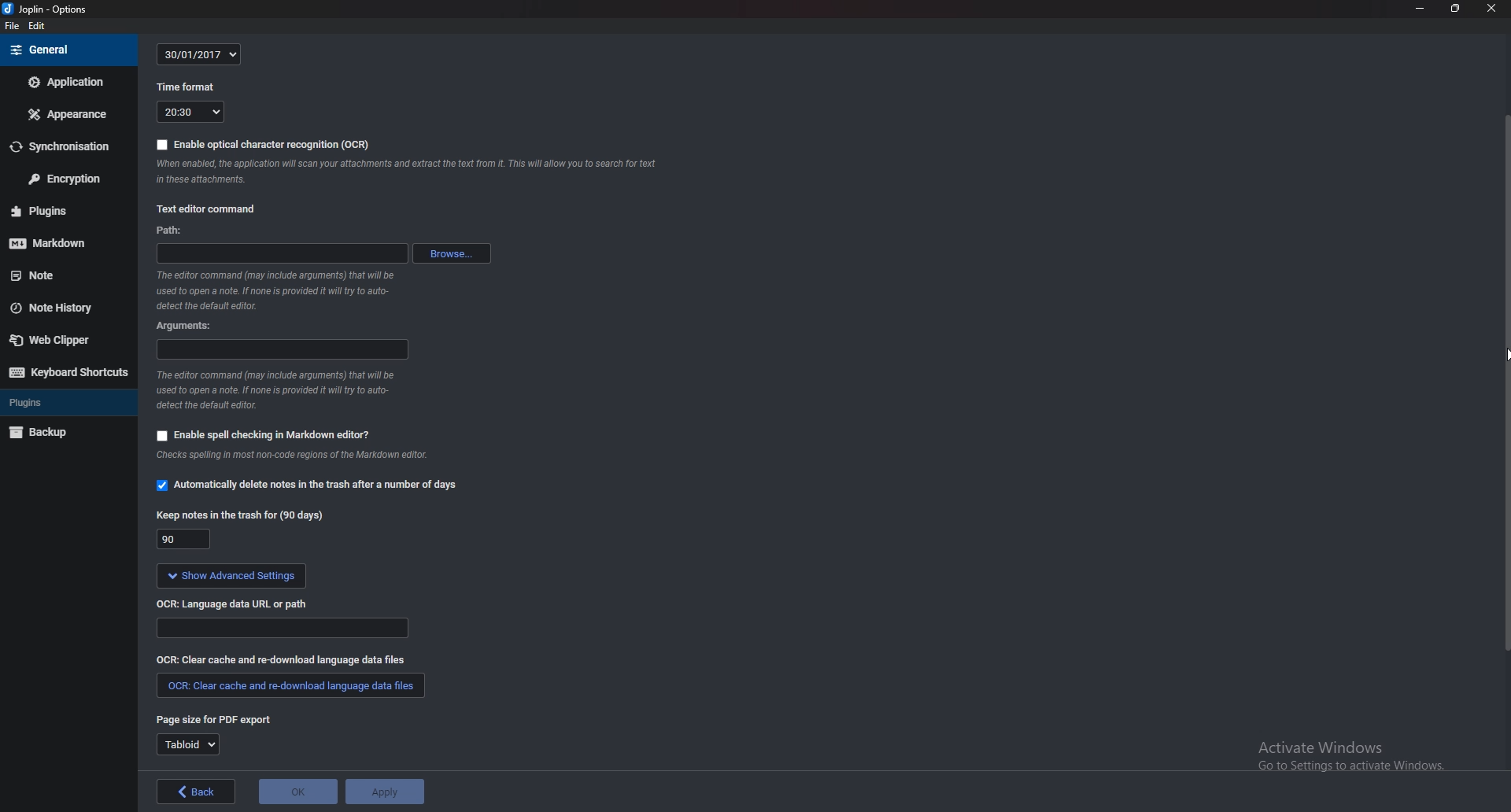 The image size is (1511, 812). I want to click on 20:30, so click(189, 113).